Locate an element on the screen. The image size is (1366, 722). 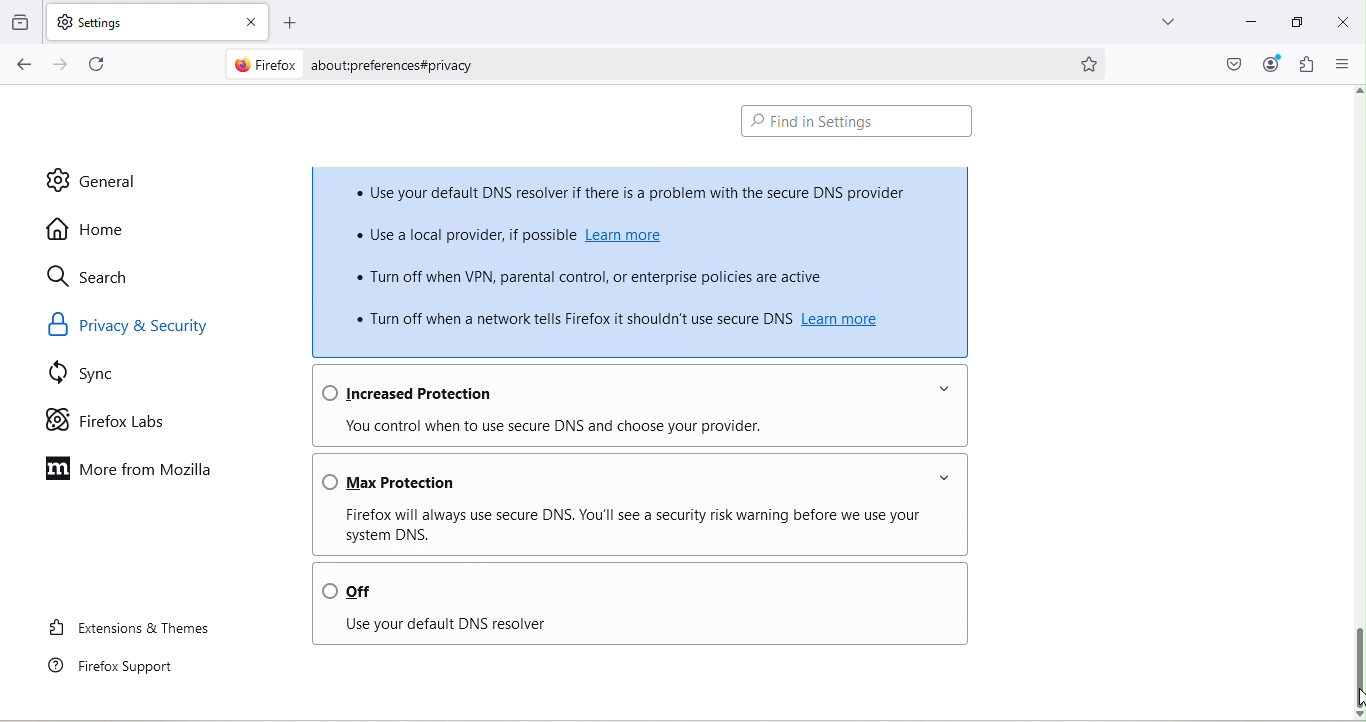
Search is located at coordinates (94, 278).